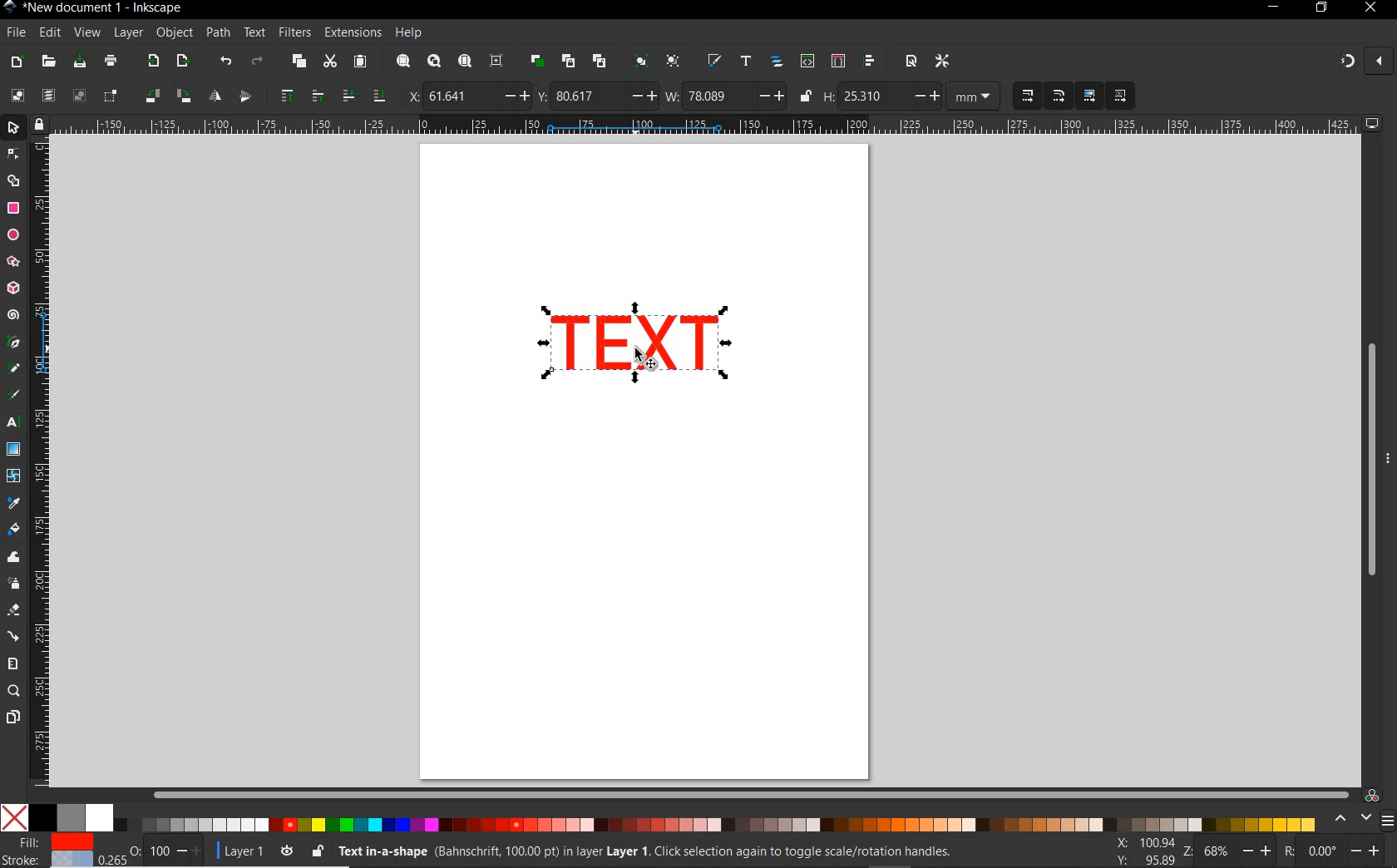  I want to click on duplicate created, so click(636, 348).